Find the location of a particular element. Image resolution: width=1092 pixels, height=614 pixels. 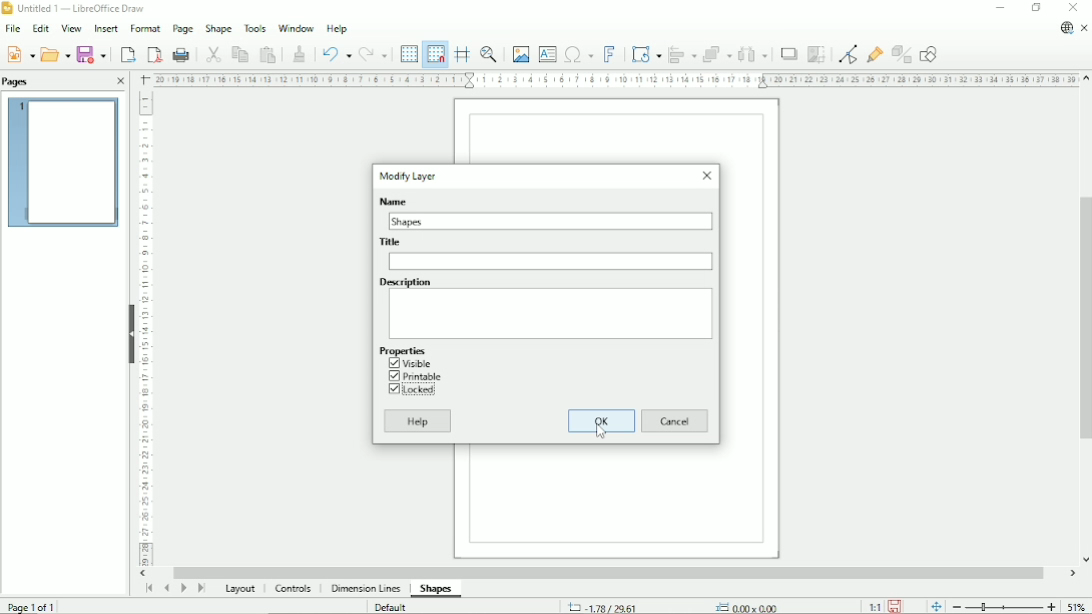

Toggle extrusion is located at coordinates (901, 55).